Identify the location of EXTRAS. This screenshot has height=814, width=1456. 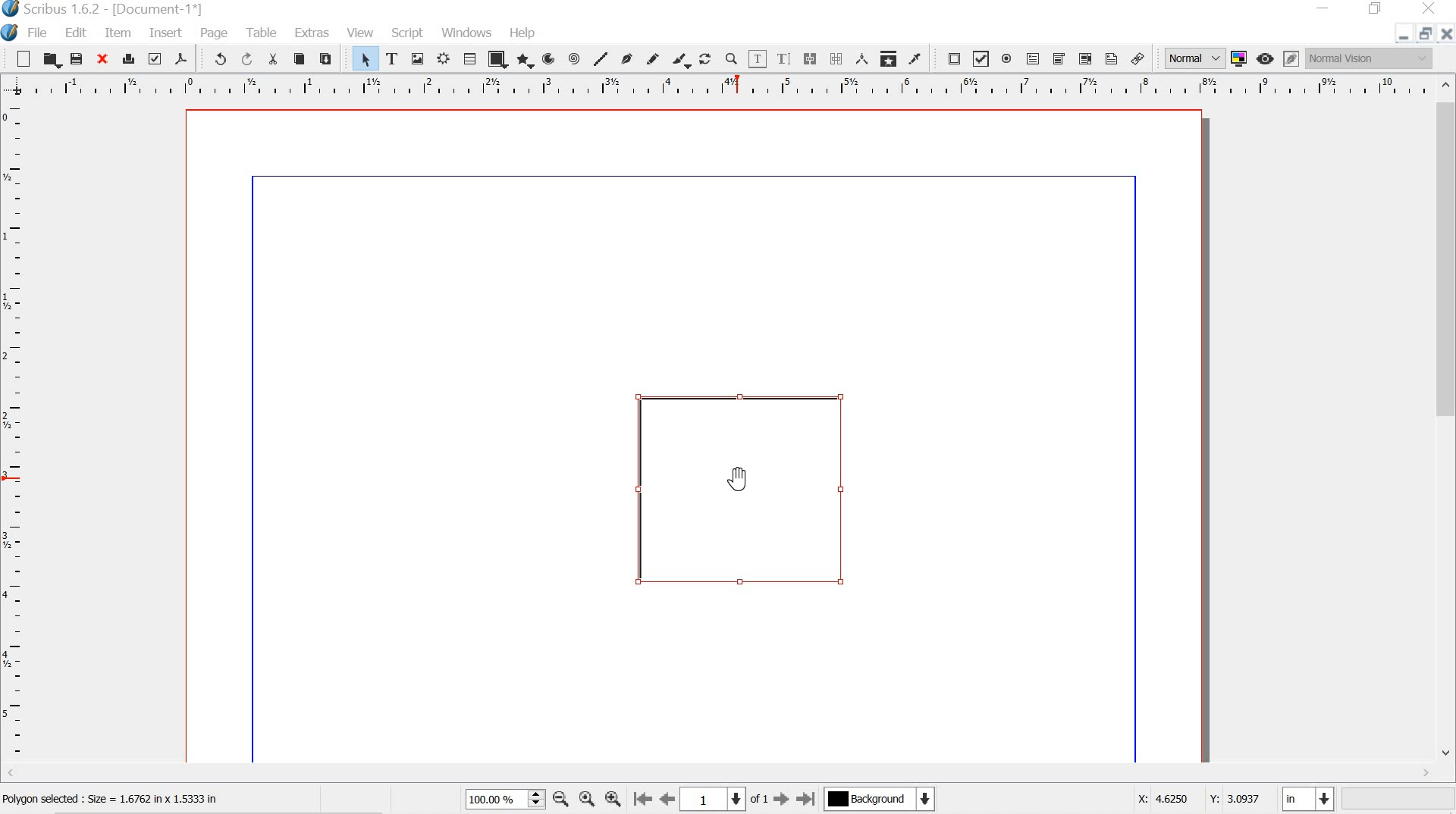
(311, 34).